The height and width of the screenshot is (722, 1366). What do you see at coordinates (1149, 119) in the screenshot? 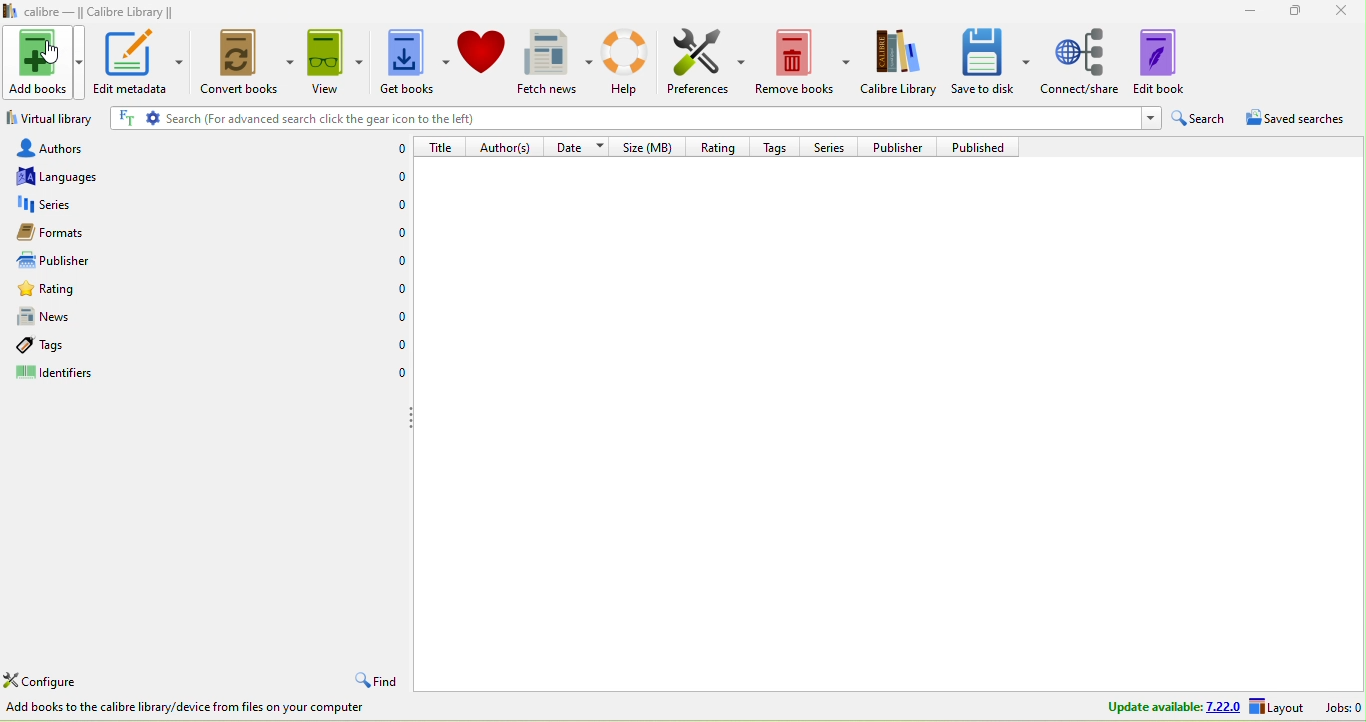
I see `Drop-down ` at bounding box center [1149, 119].